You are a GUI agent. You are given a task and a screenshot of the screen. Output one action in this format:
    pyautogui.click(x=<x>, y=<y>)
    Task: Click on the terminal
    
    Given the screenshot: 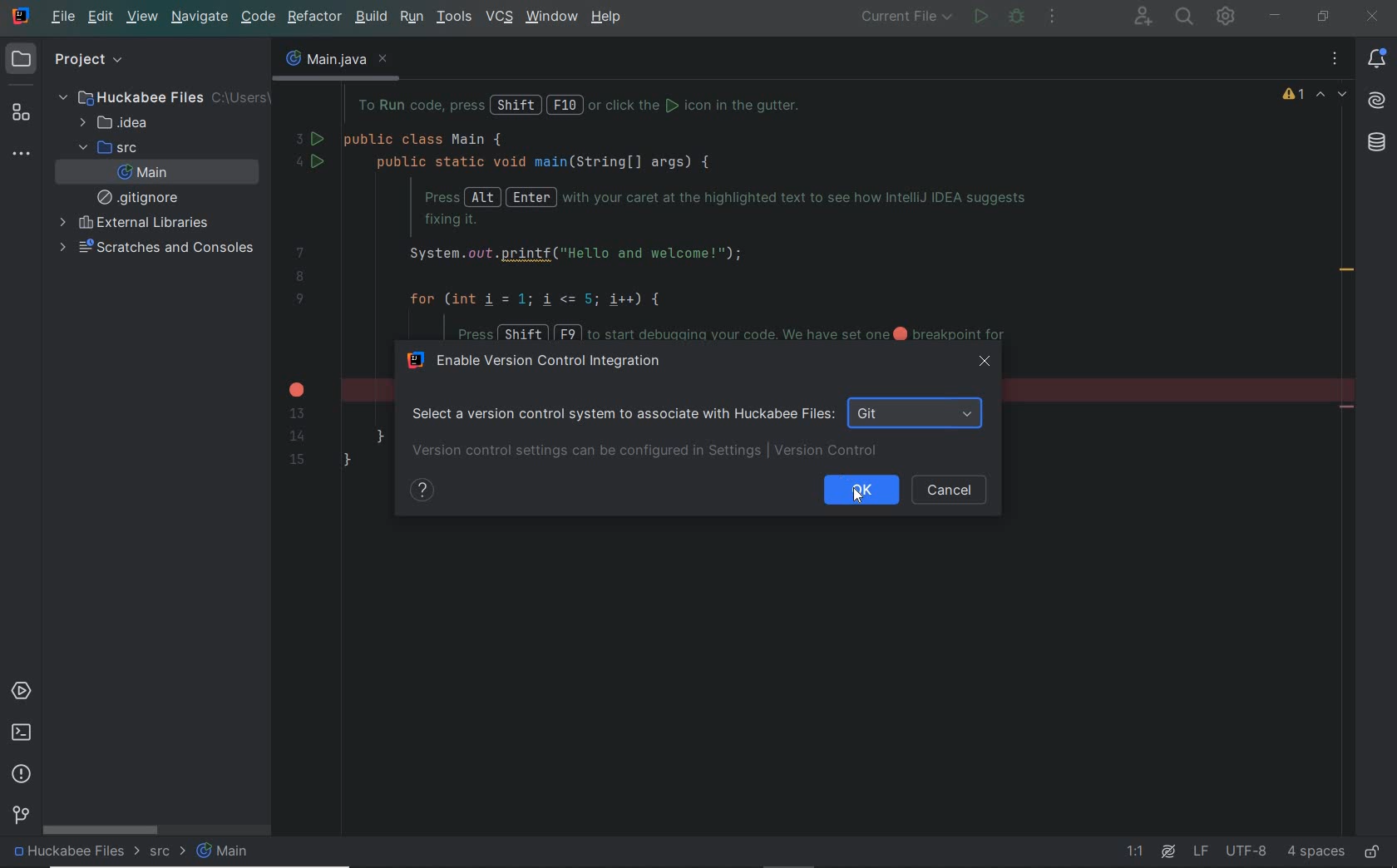 What is the action you would take?
    pyautogui.click(x=22, y=732)
    